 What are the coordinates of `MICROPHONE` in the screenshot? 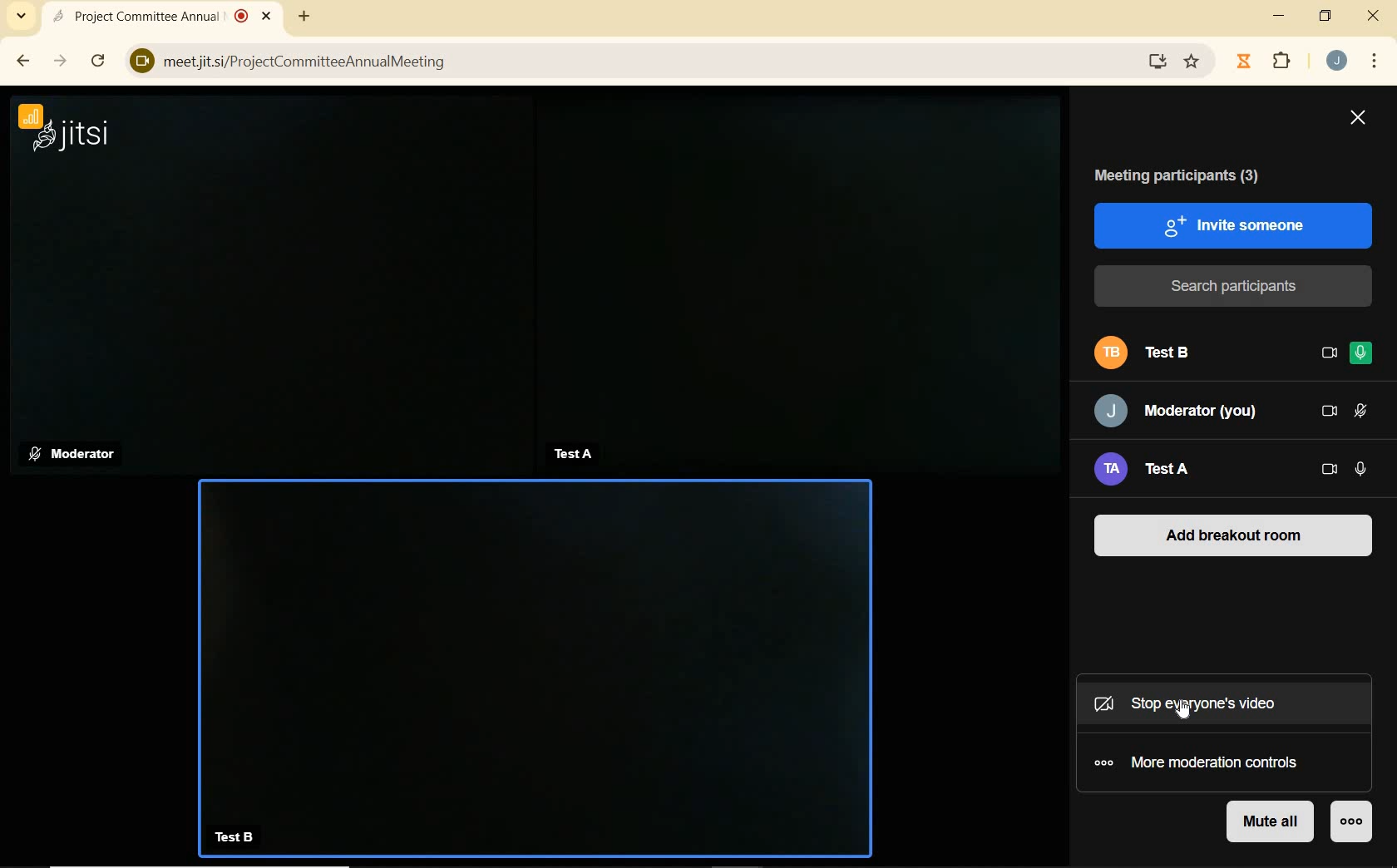 It's located at (1362, 470).